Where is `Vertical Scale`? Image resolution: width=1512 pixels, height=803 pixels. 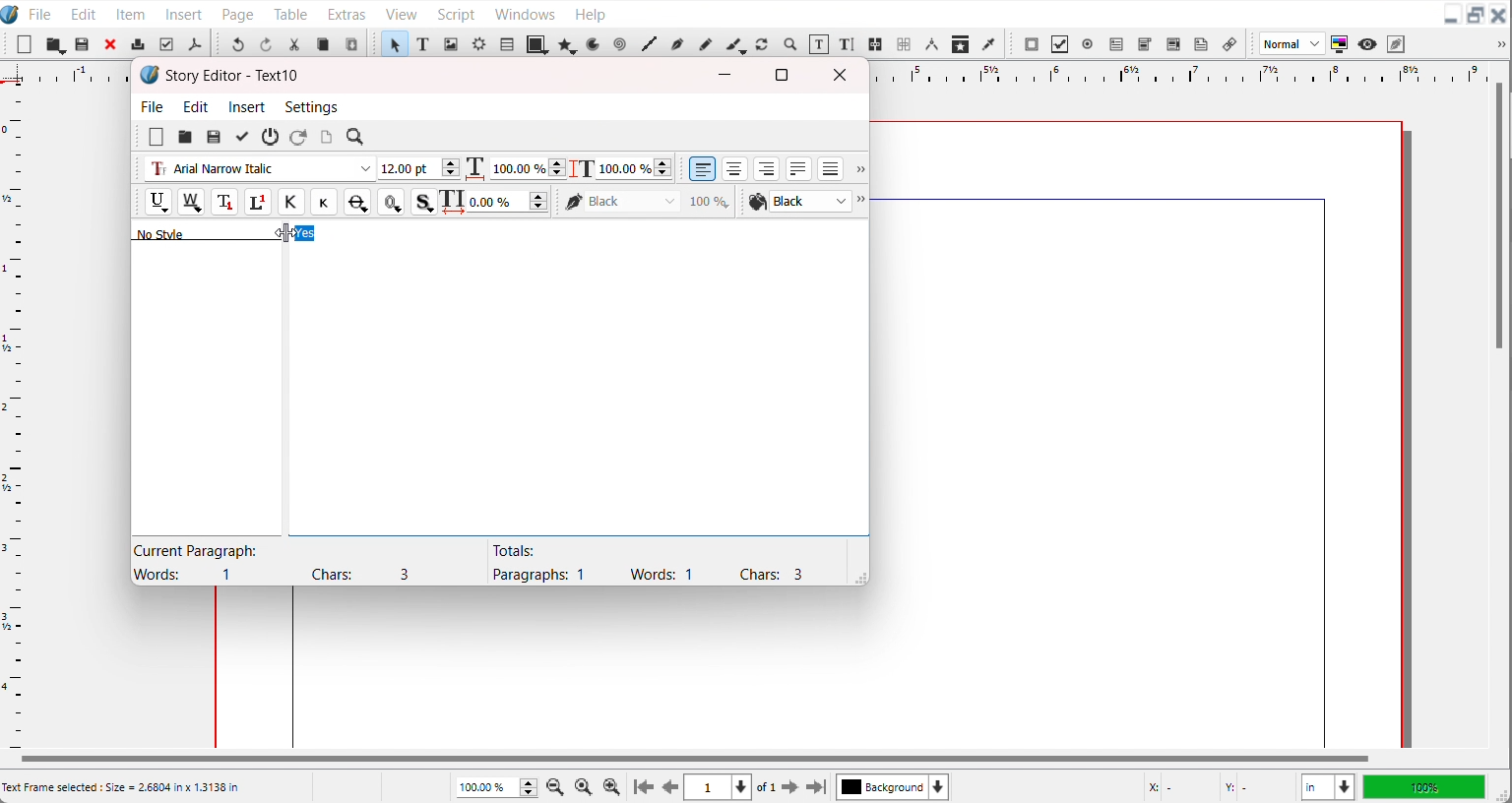 Vertical Scale is located at coordinates (14, 413).